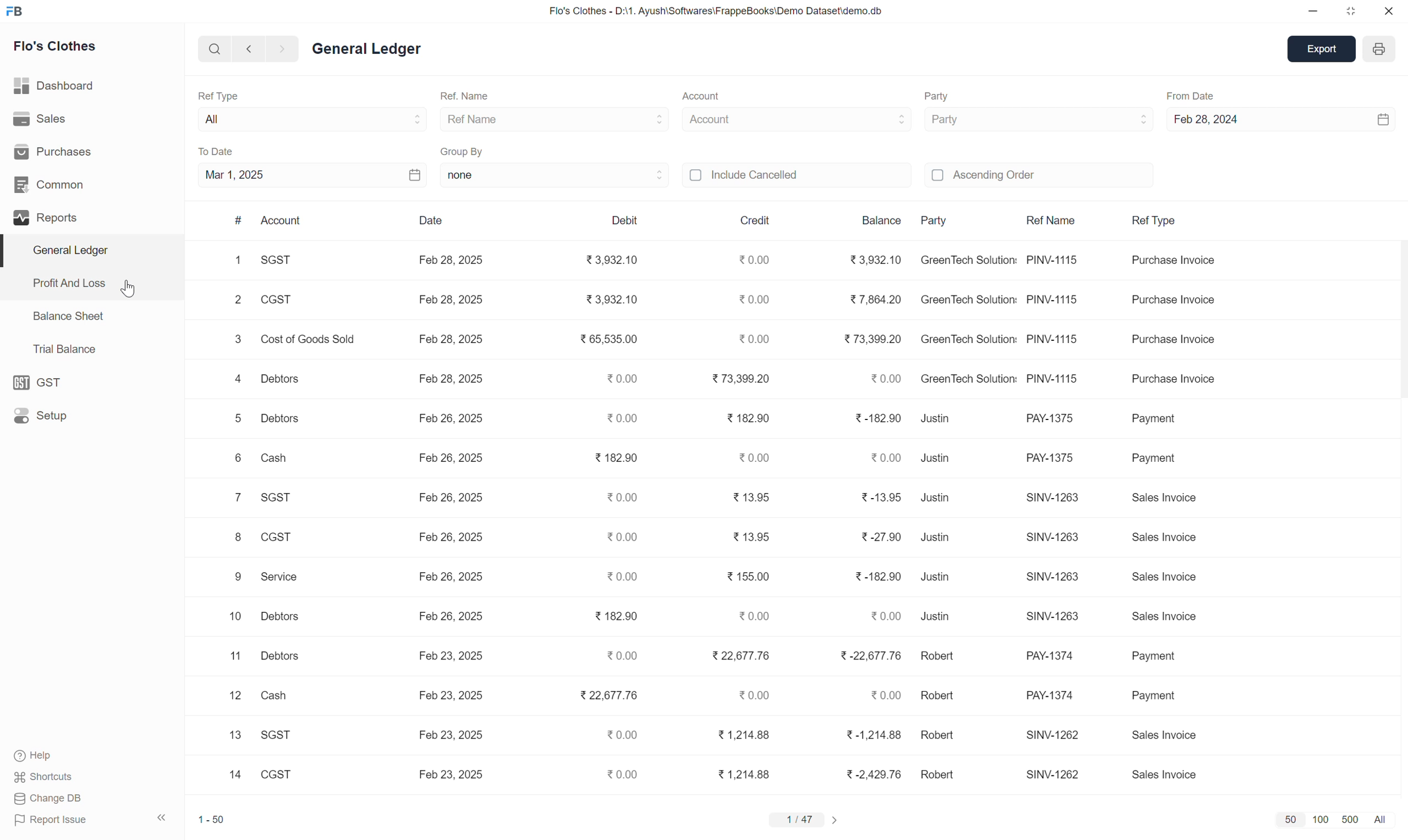 This screenshot has width=1408, height=840. What do you see at coordinates (937, 736) in the screenshot?
I see `Robert` at bounding box center [937, 736].